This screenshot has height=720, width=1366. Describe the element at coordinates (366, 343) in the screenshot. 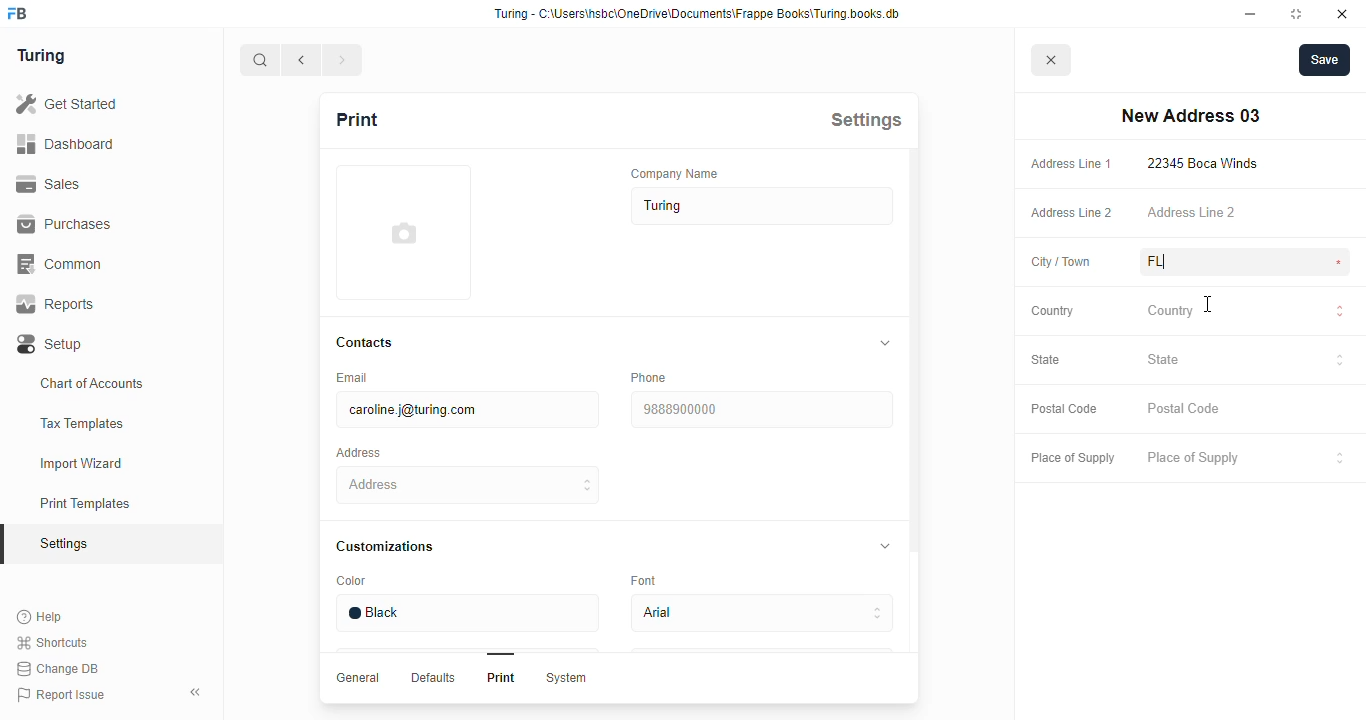

I see `contacts` at that location.